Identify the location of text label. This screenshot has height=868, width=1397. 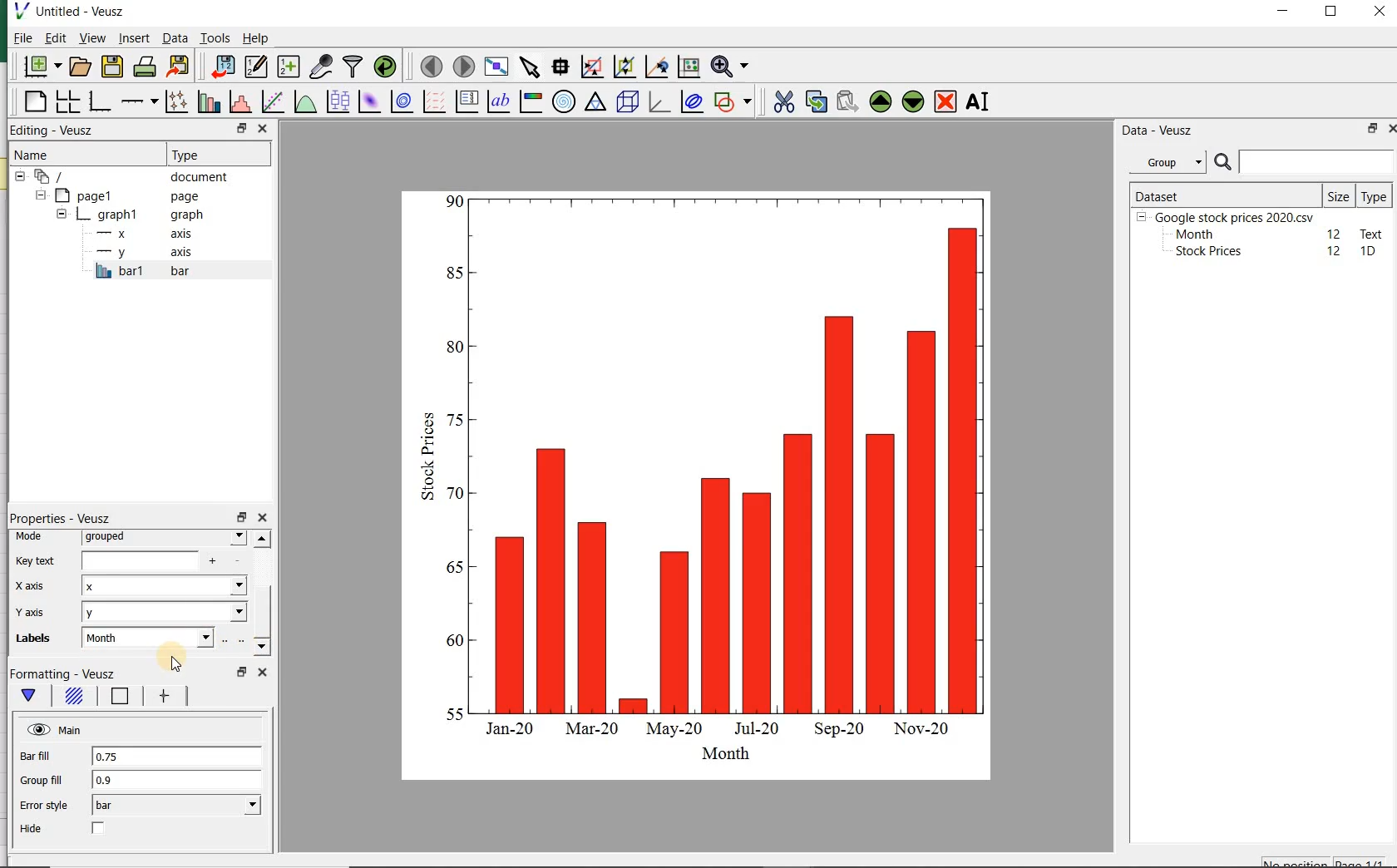
(498, 103).